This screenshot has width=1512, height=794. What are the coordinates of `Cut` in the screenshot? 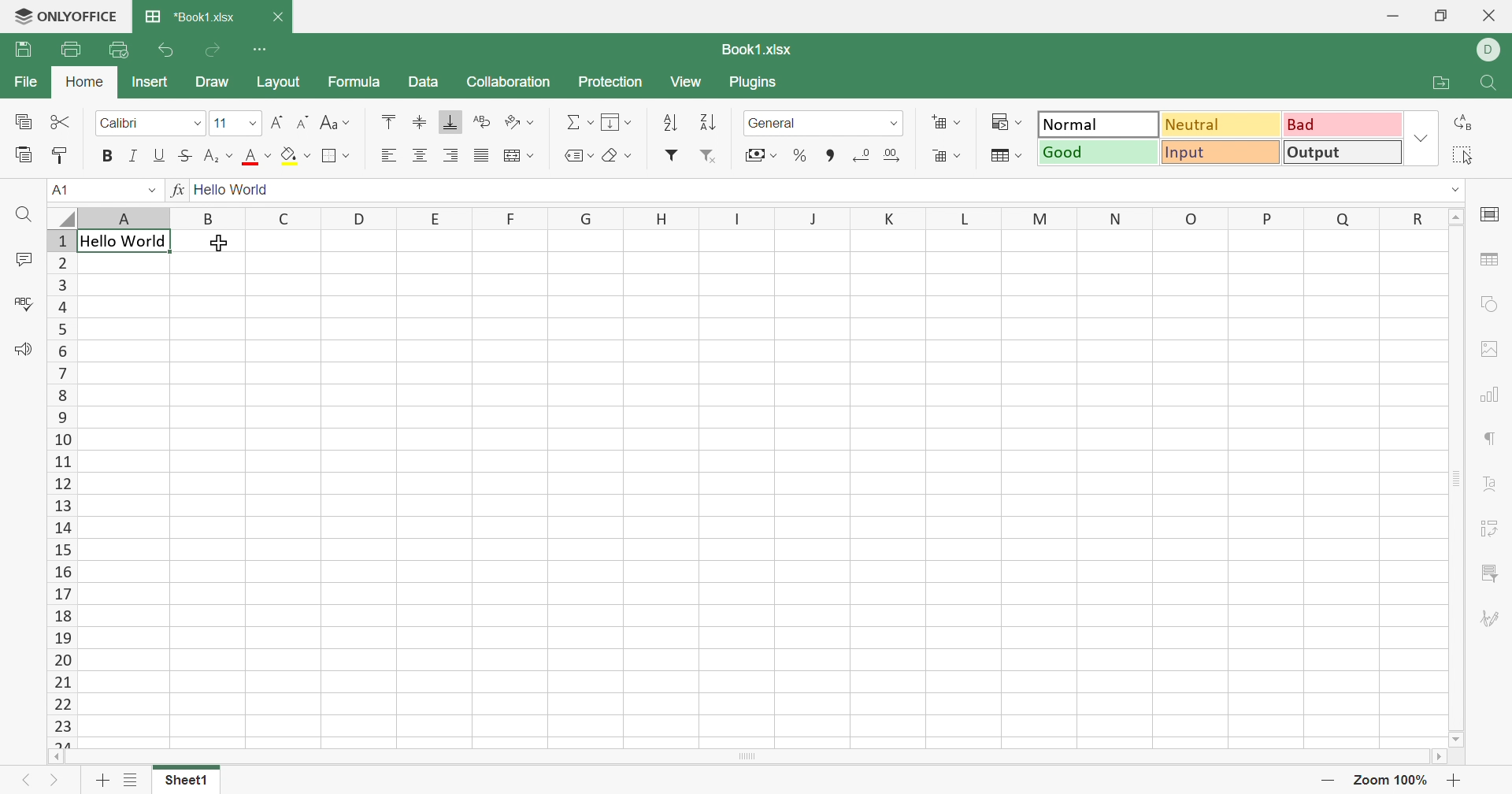 It's located at (59, 121).